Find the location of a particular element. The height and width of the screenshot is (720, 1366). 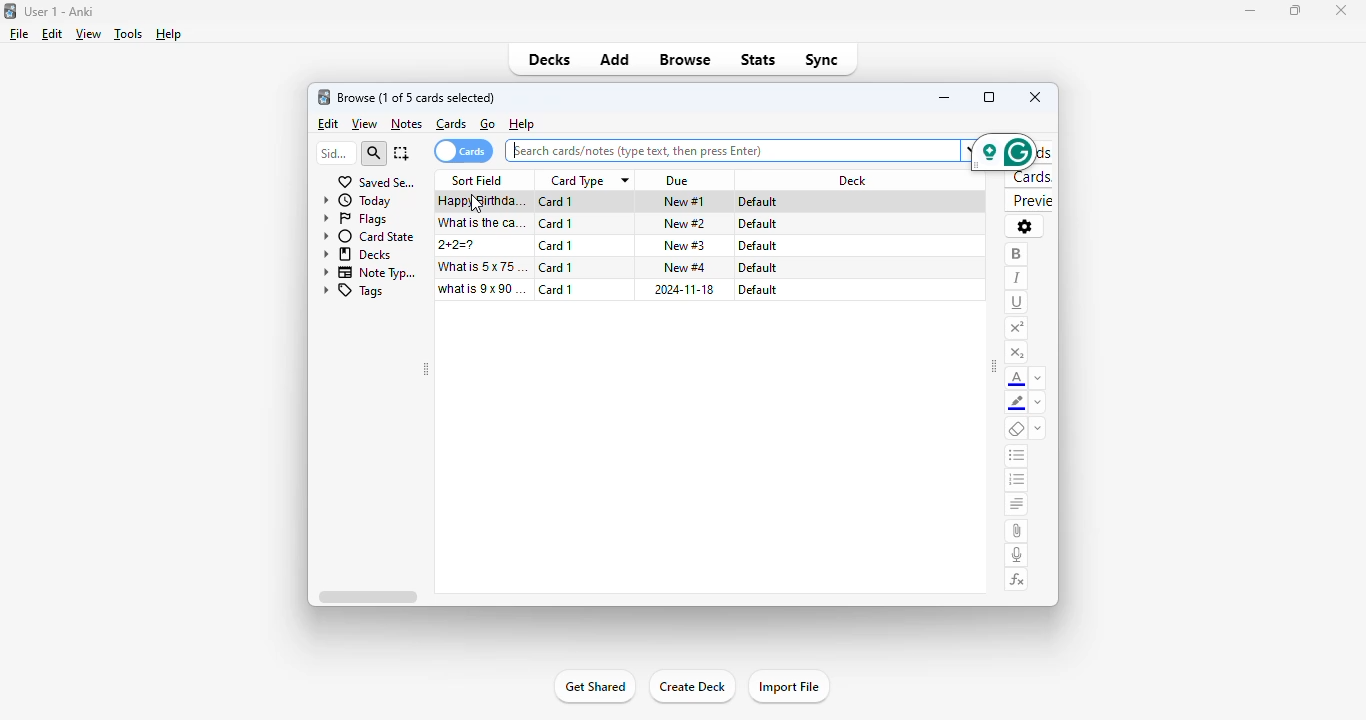

saved searches is located at coordinates (377, 182).